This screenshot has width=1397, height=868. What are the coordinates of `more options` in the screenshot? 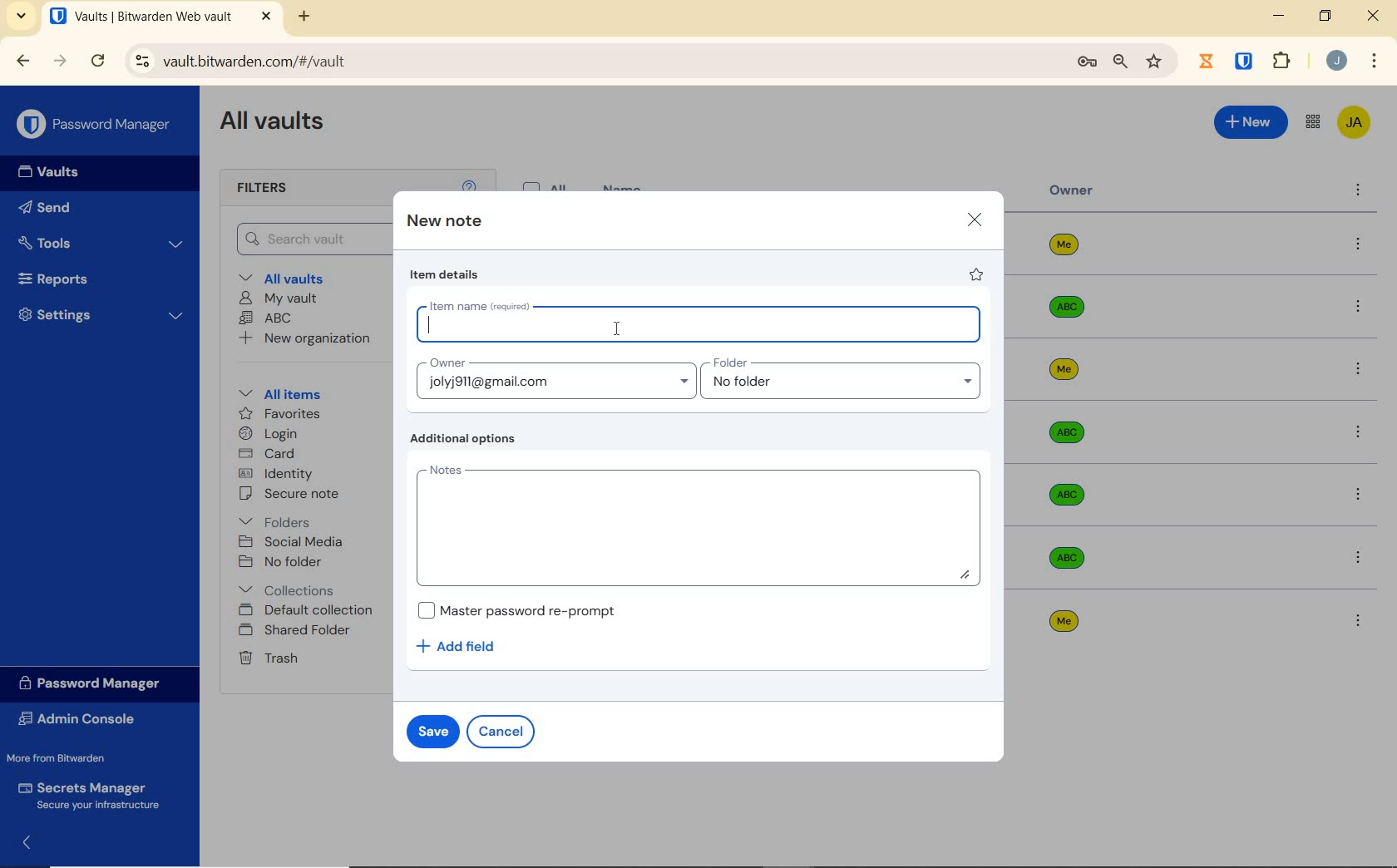 It's located at (1360, 495).